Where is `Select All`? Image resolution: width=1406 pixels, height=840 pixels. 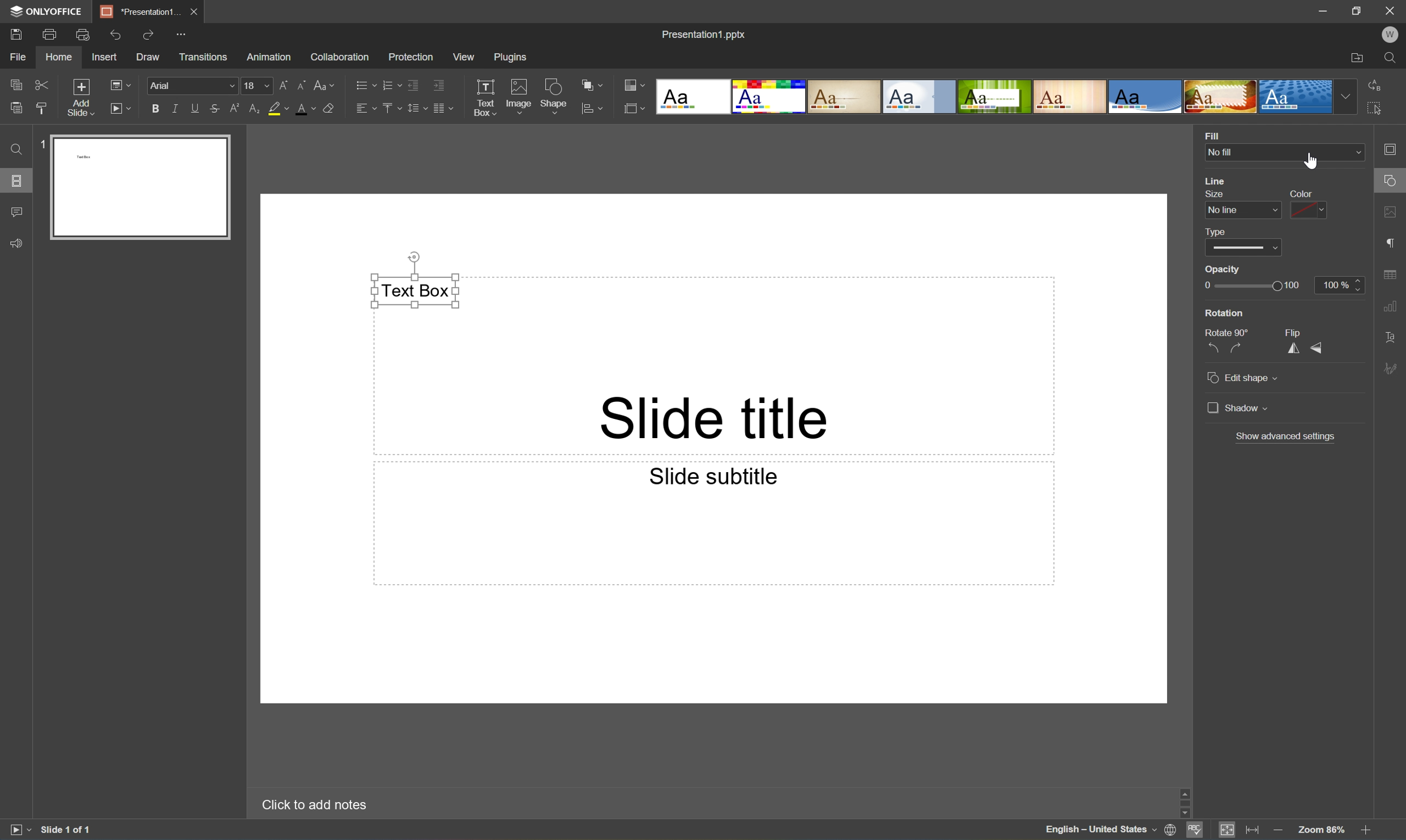
Select All is located at coordinates (1375, 107).